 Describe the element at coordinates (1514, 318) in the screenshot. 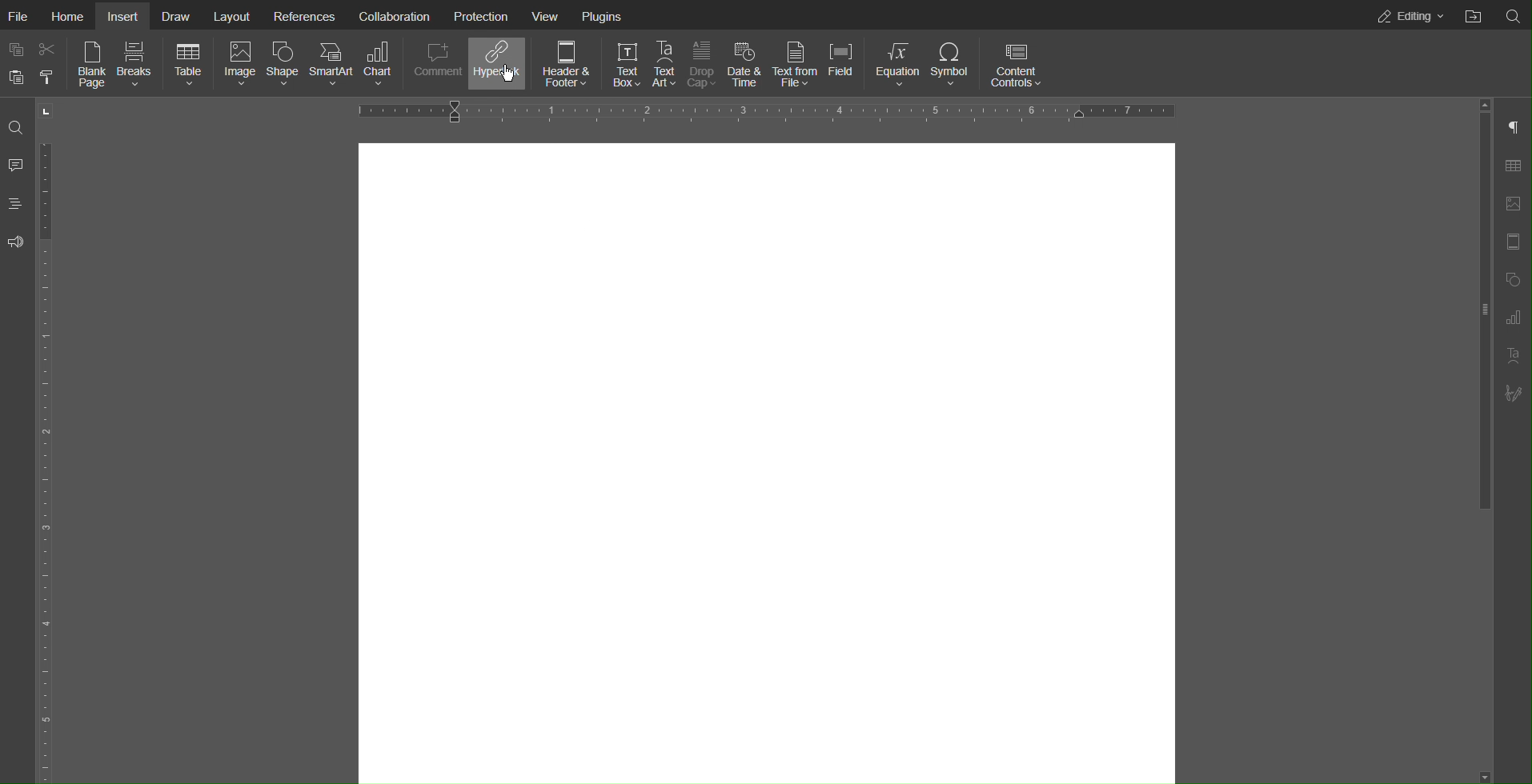

I see `Paragraph Settings` at that location.